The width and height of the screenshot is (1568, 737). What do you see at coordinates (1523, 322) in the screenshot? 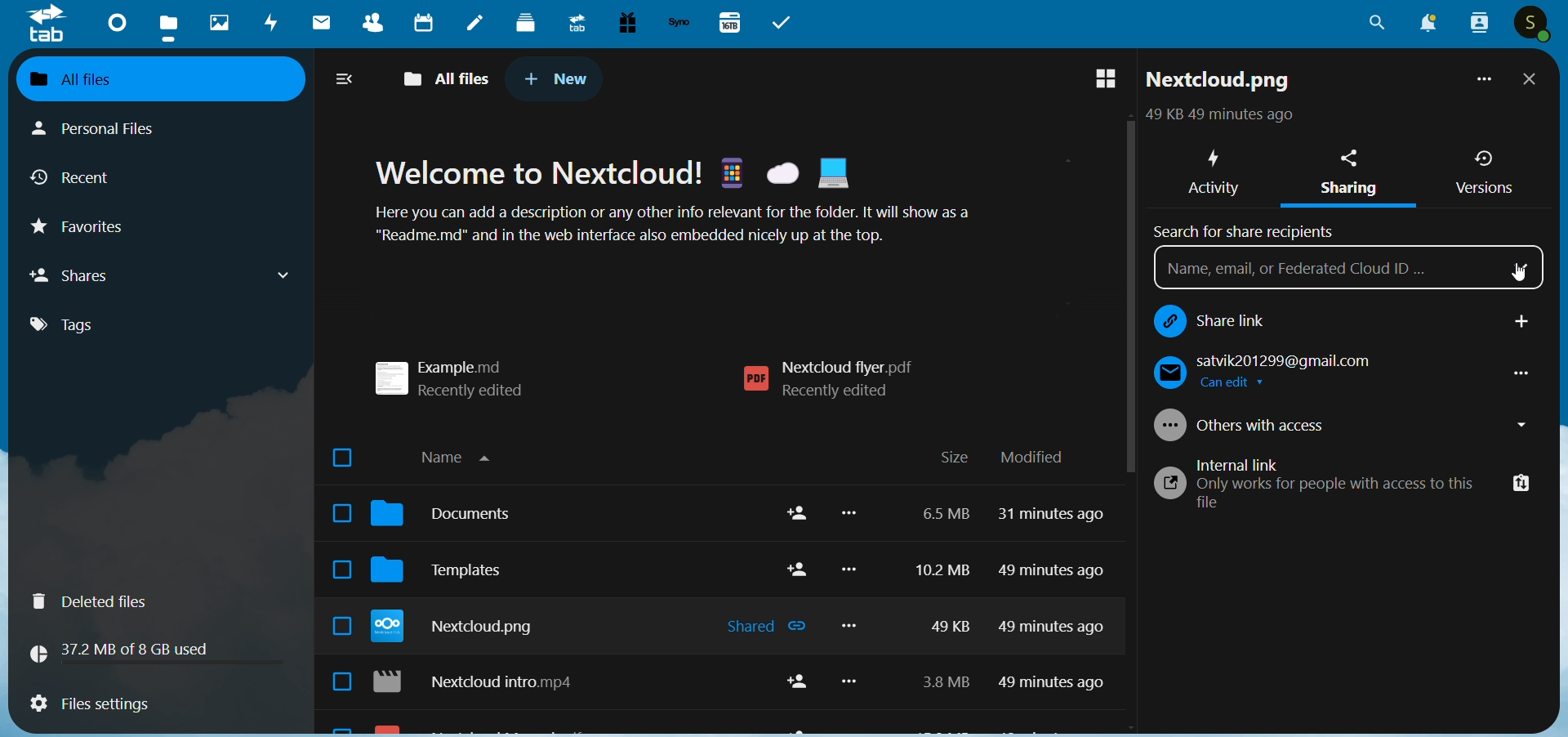
I see `add` at bounding box center [1523, 322].